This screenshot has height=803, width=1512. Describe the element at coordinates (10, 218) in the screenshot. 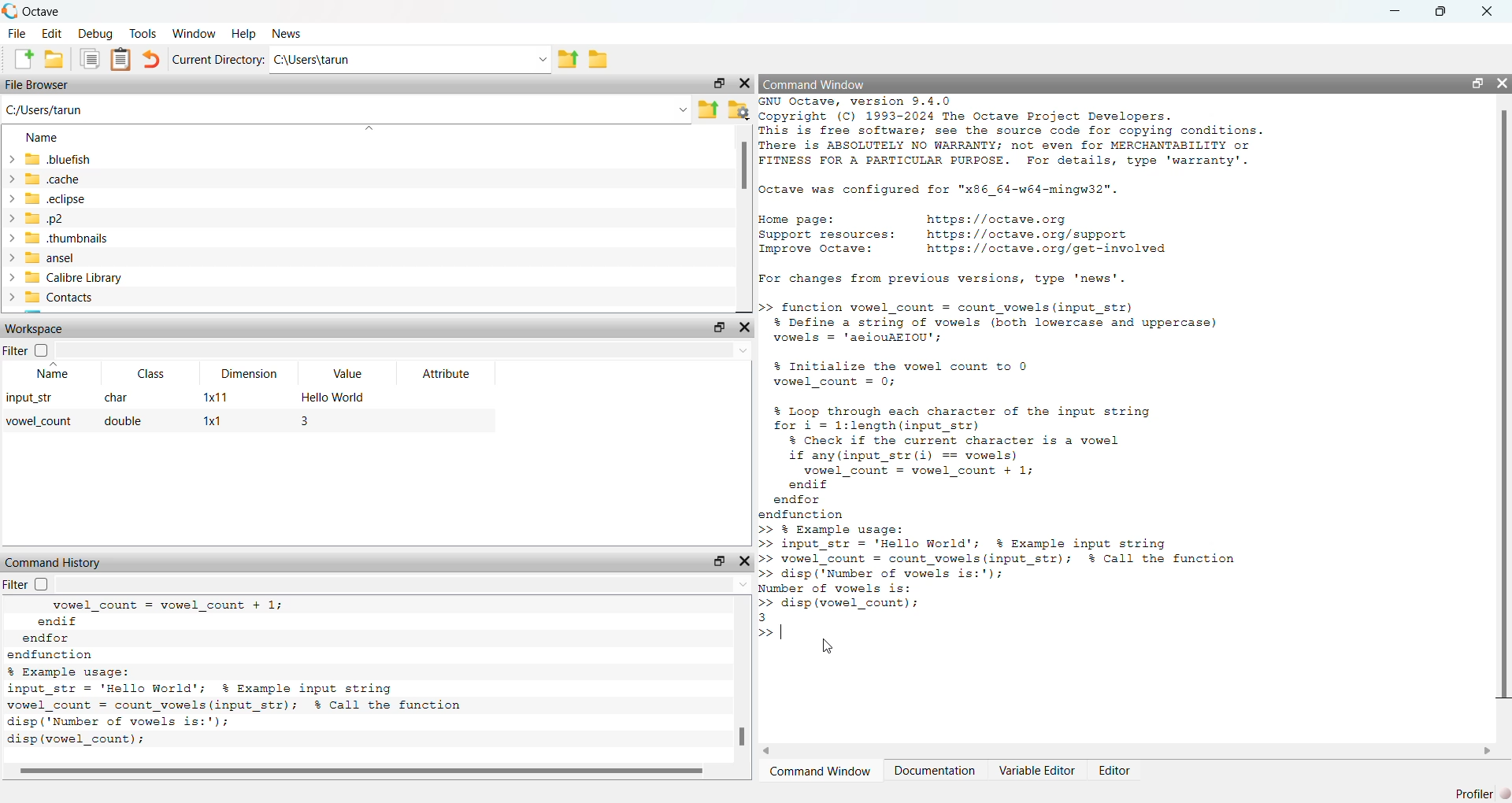

I see `expand/collapse` at that location.